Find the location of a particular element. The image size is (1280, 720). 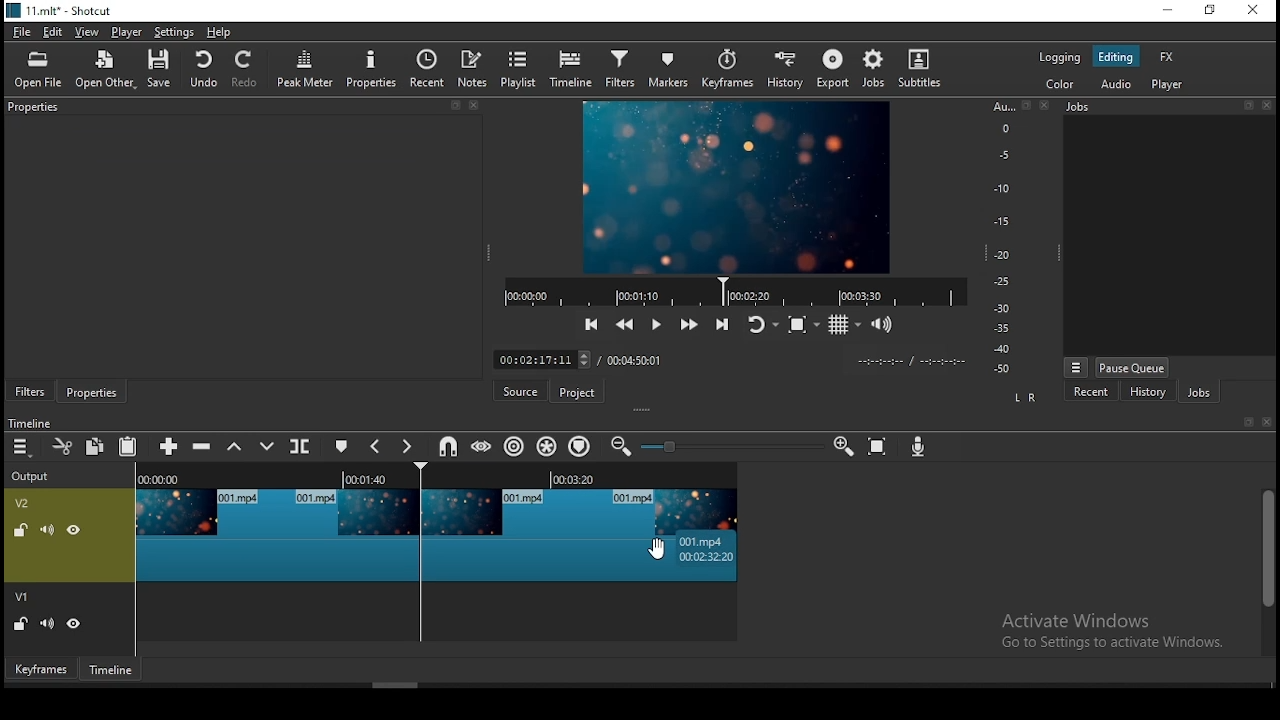

recent is located at coordinates (428, 69).